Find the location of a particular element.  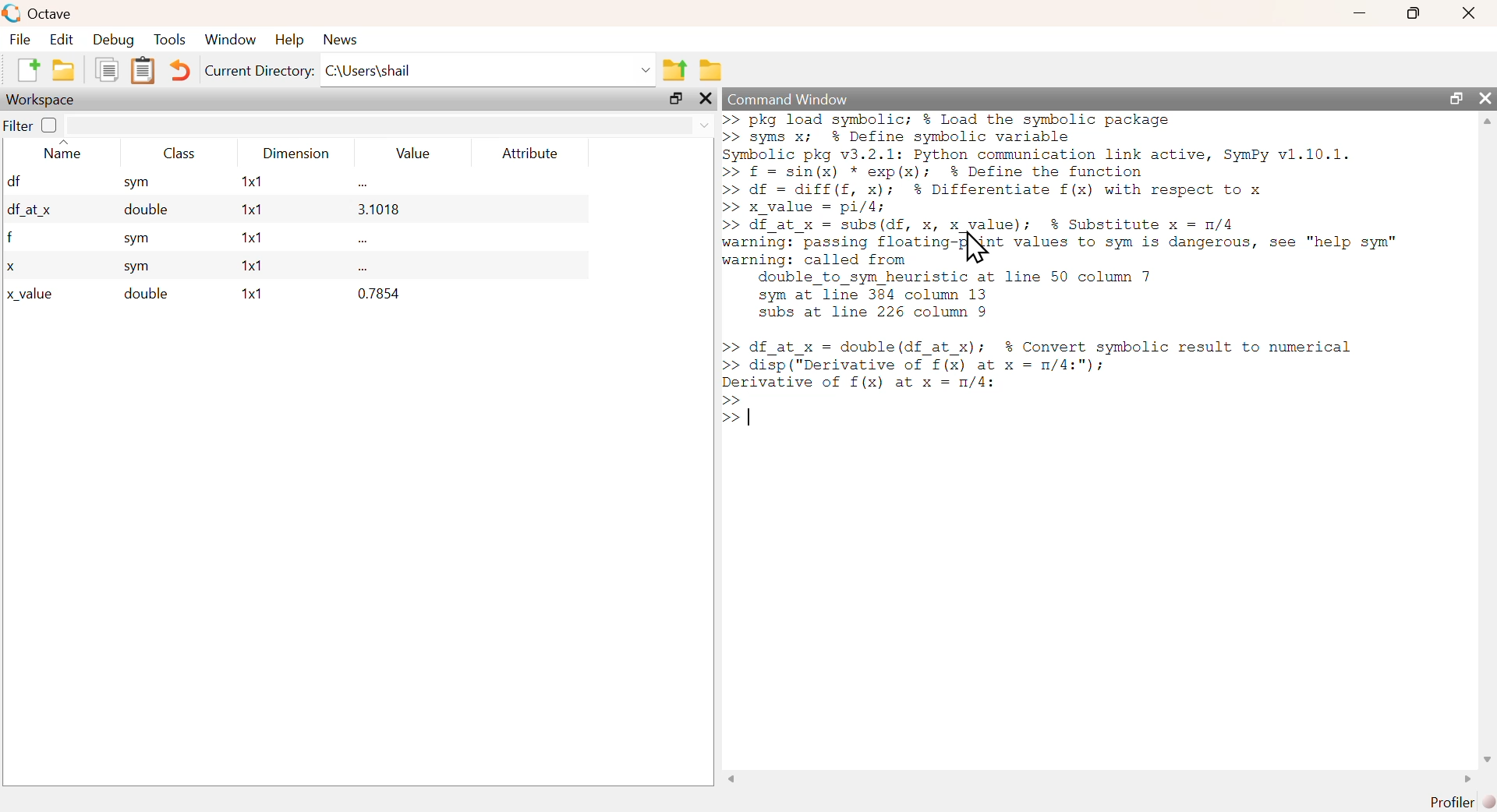

scroll down is located at coordinates (1487, 759).